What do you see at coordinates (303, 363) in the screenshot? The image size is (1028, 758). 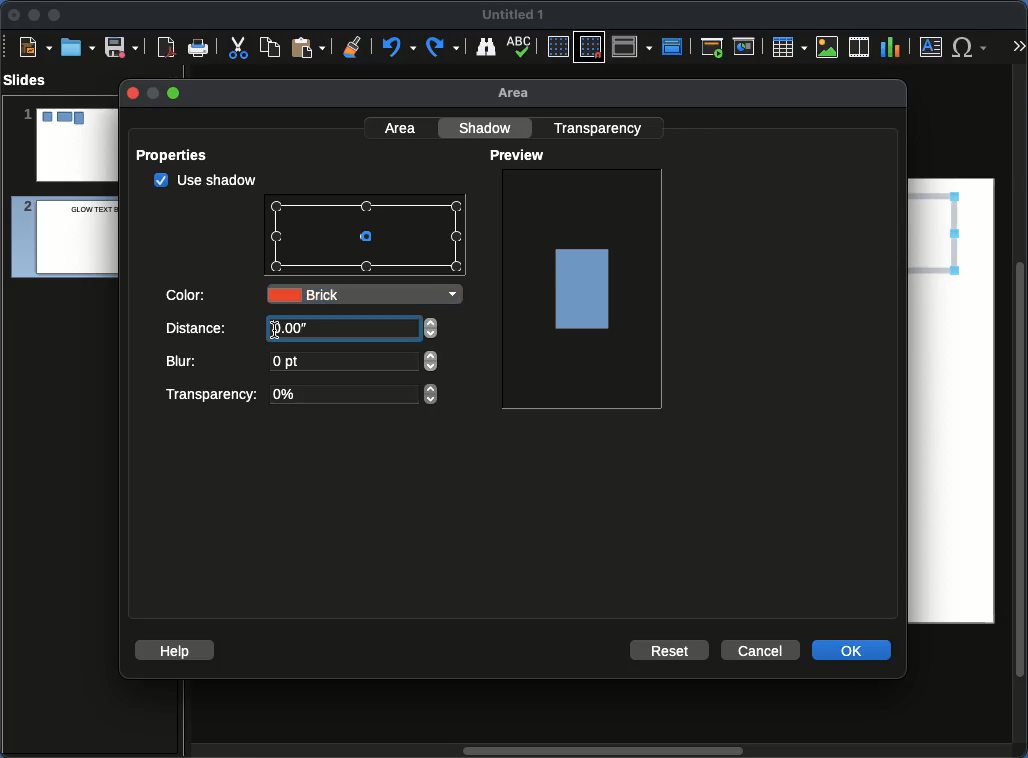 I see `Blur` at bounding box center [303, 363].